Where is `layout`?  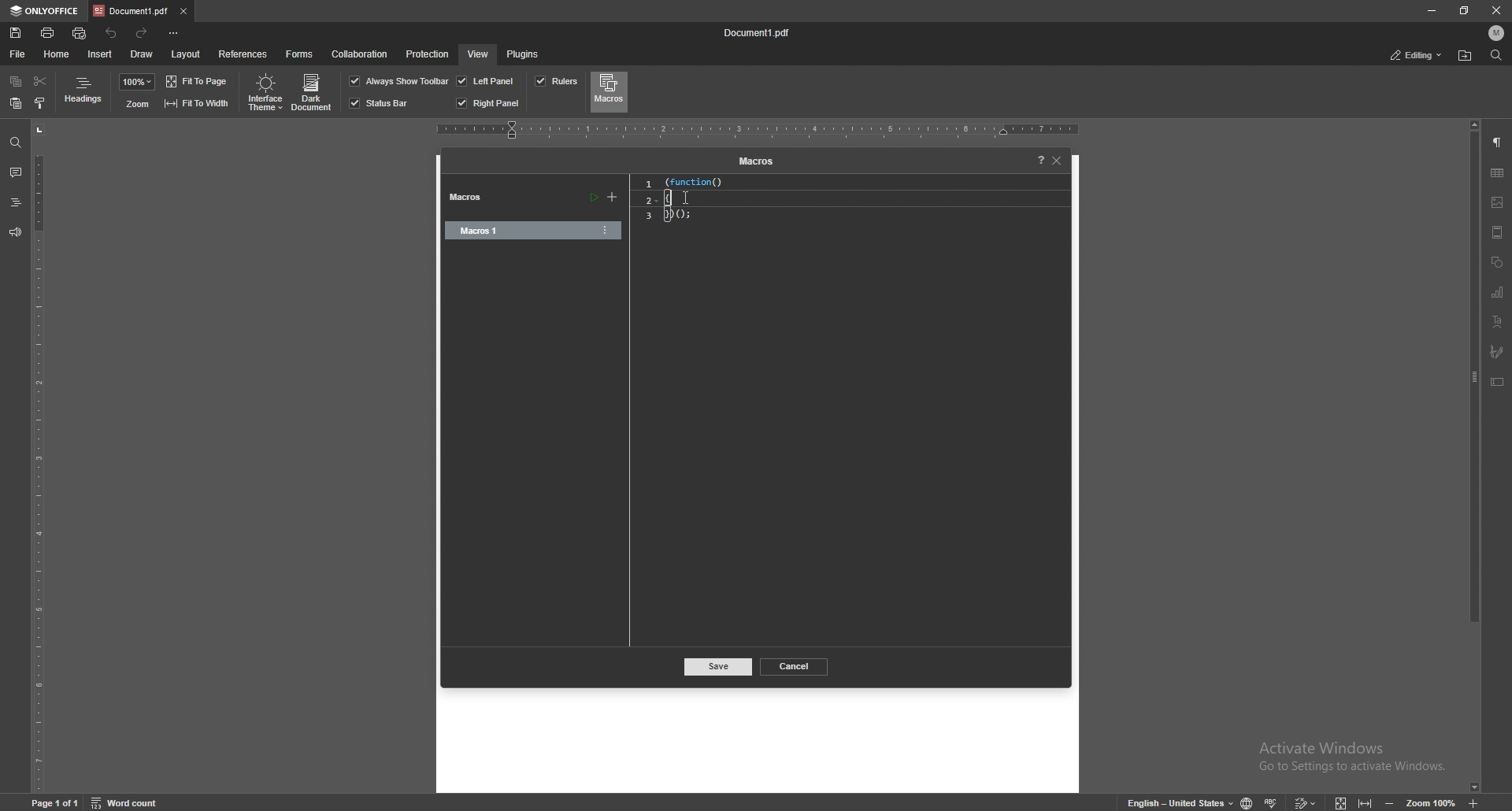
layout is located at coordinates (185, 54).